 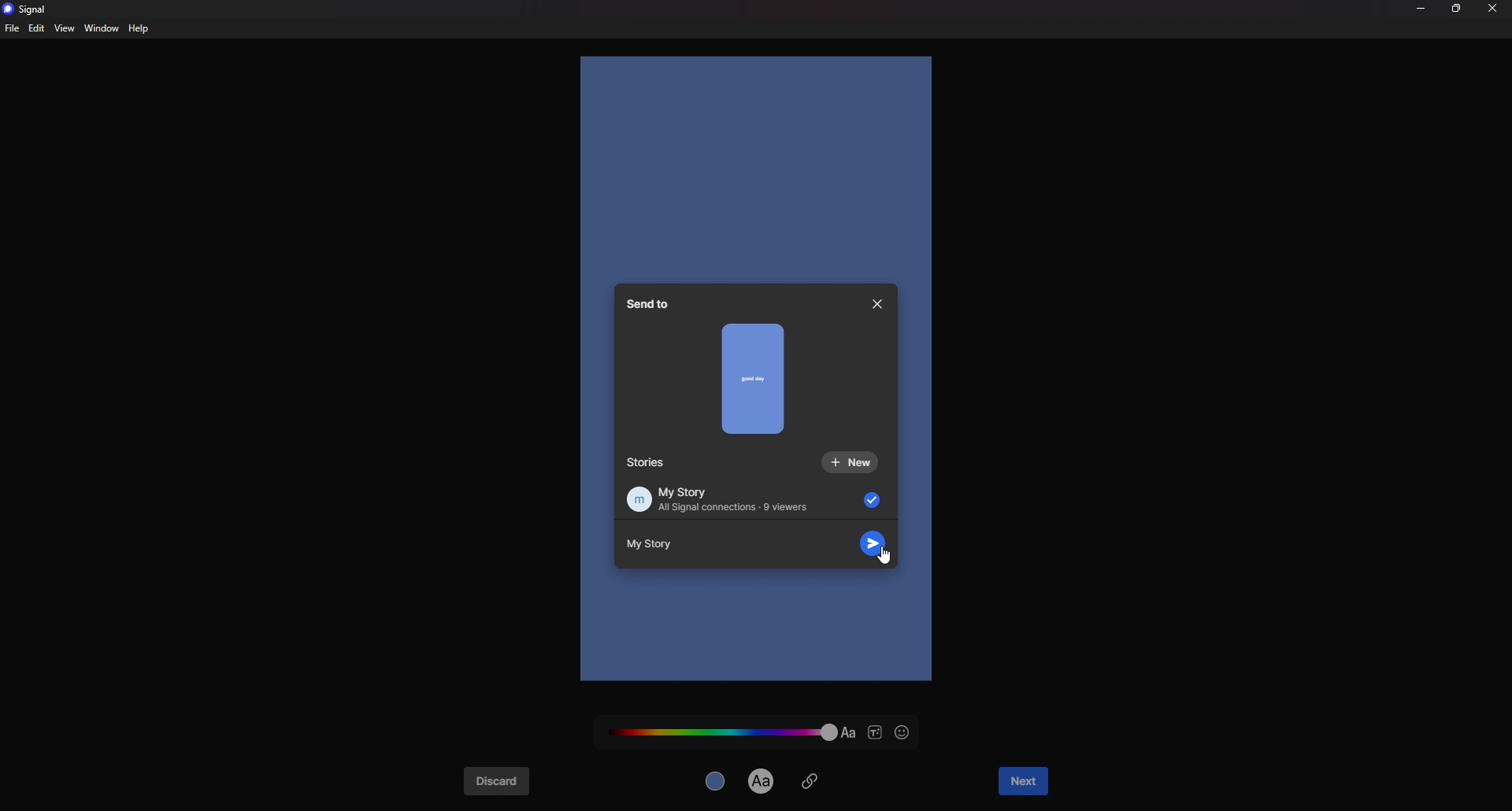 I want to click on scroll bar, so click(x=893, y=420).